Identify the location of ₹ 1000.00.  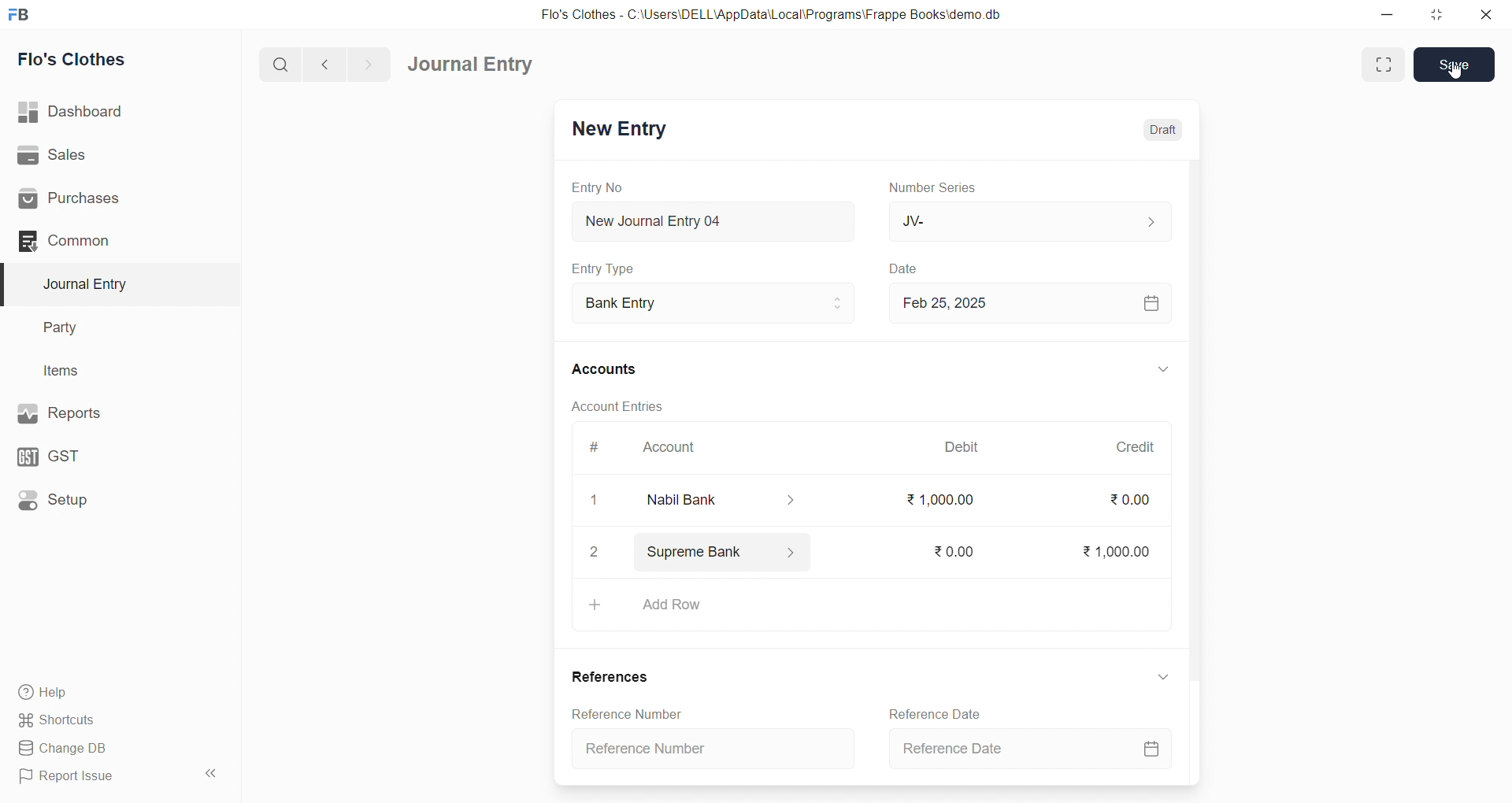
(941, 499).